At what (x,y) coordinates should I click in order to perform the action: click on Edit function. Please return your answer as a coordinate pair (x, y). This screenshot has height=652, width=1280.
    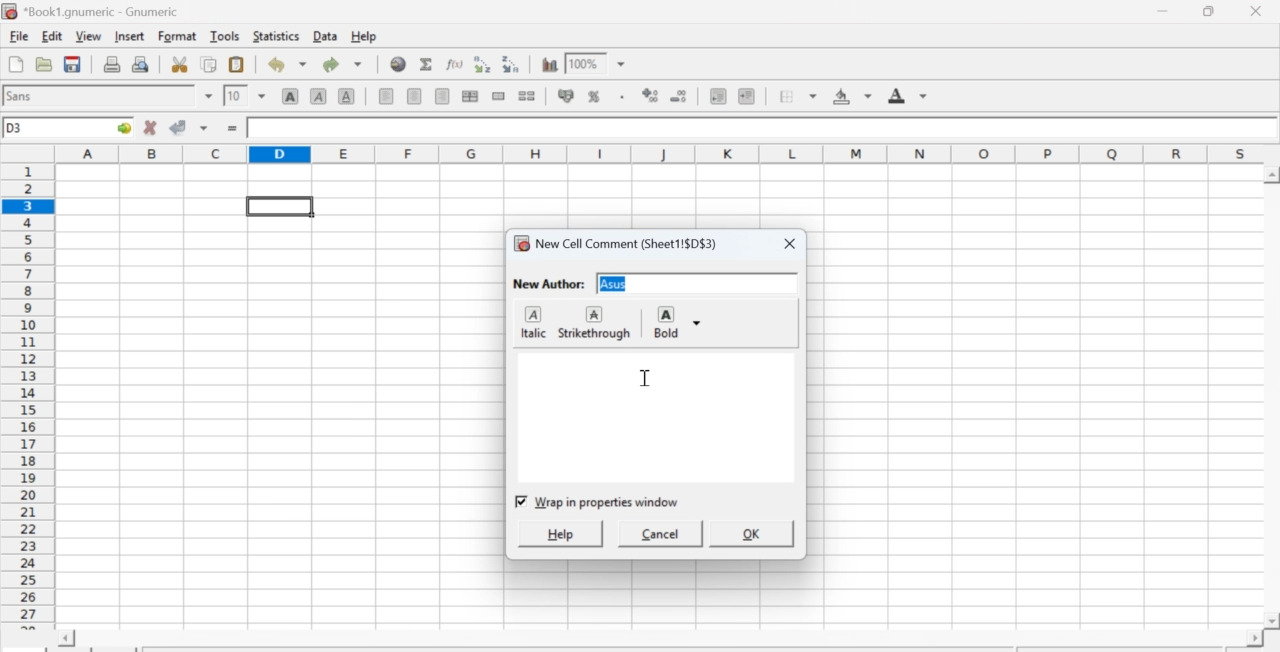
    Looking at the image, I should click on (454, 67).